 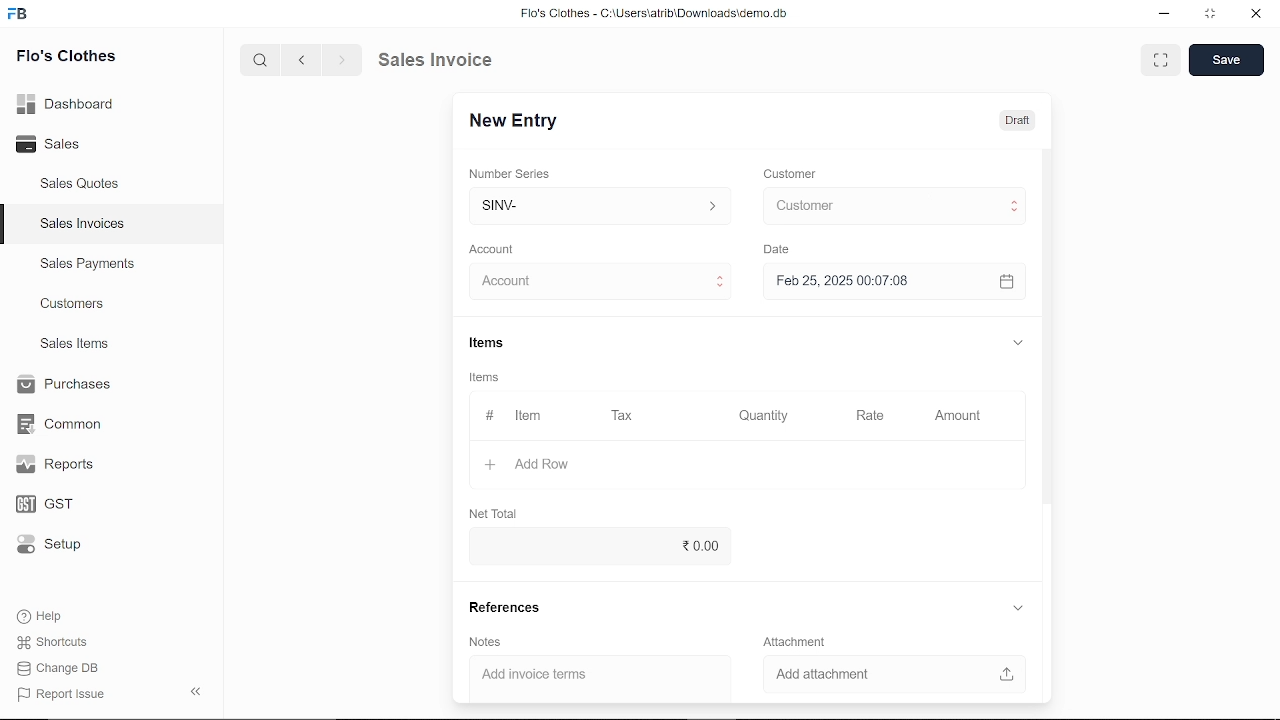 I want to click on References., so click(x=506, y=610).